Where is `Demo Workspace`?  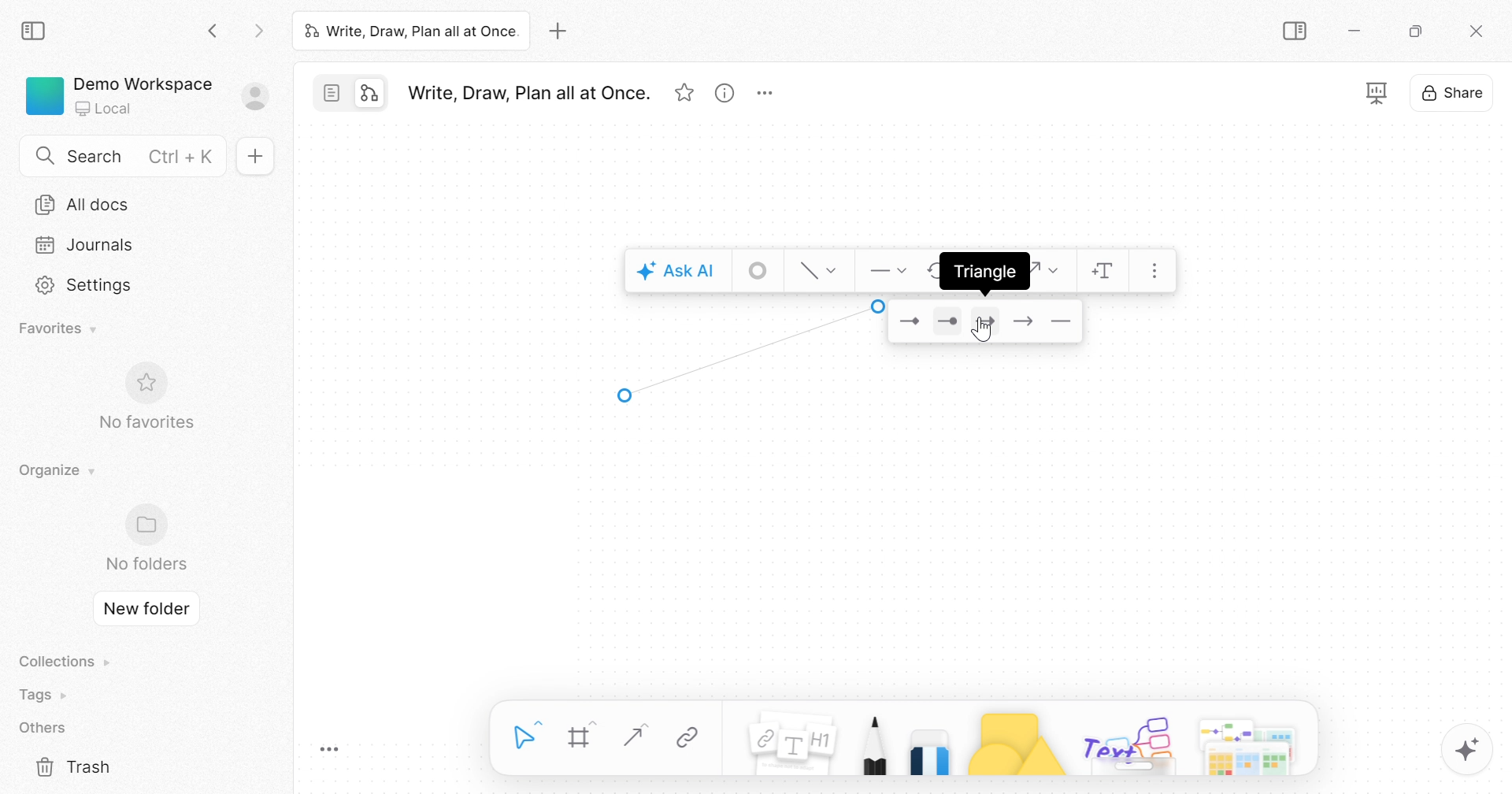
Demo Workspace is located at coordinates (142, 82).